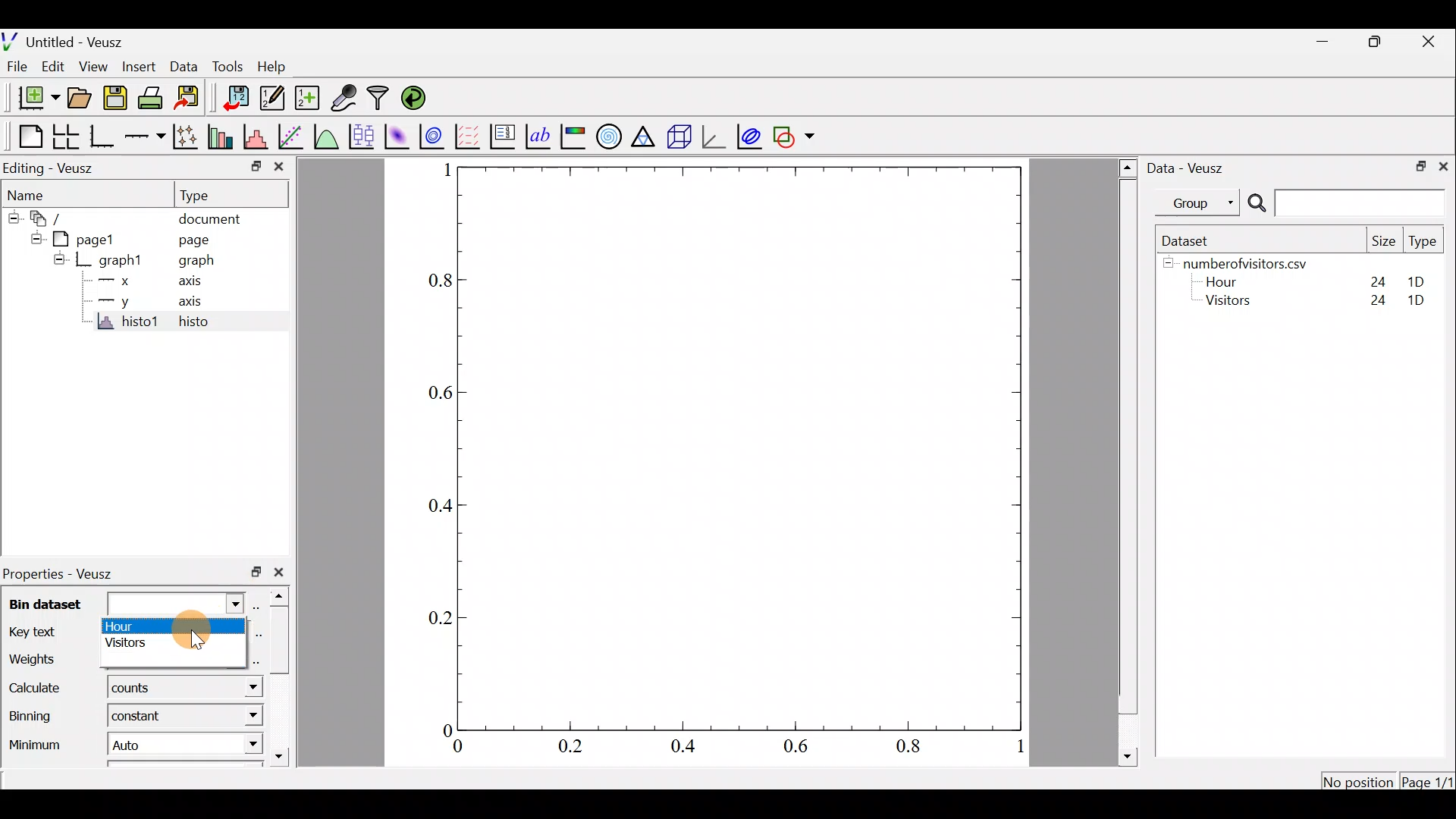 The image size is (1456, 819). Describe the element at coordinates (220, 135) in the screenshot. I see `plot bar charts` at that location.